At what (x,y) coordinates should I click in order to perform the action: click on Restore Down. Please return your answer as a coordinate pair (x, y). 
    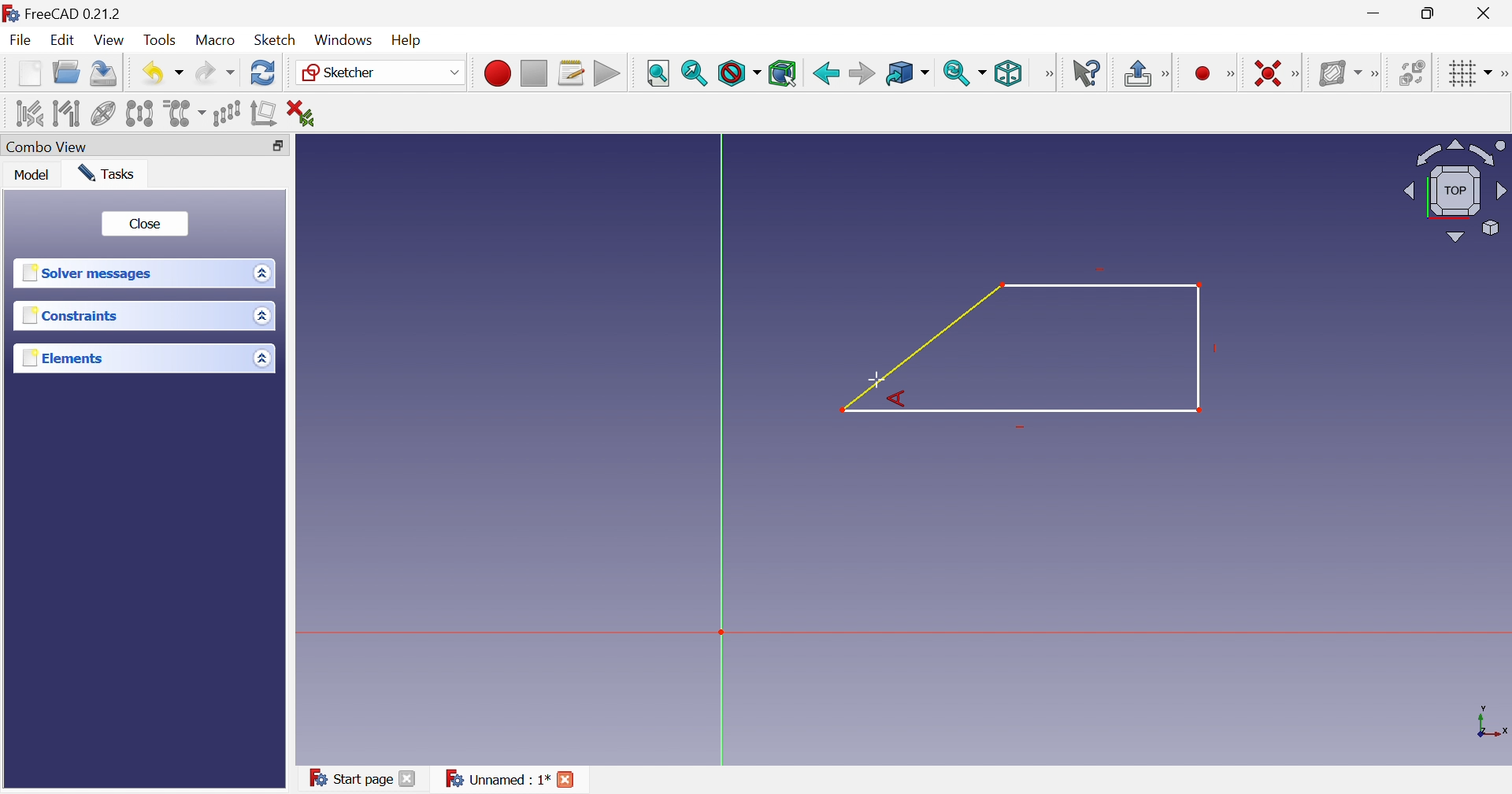
    Looking at the image, I should click on (1430, 13).